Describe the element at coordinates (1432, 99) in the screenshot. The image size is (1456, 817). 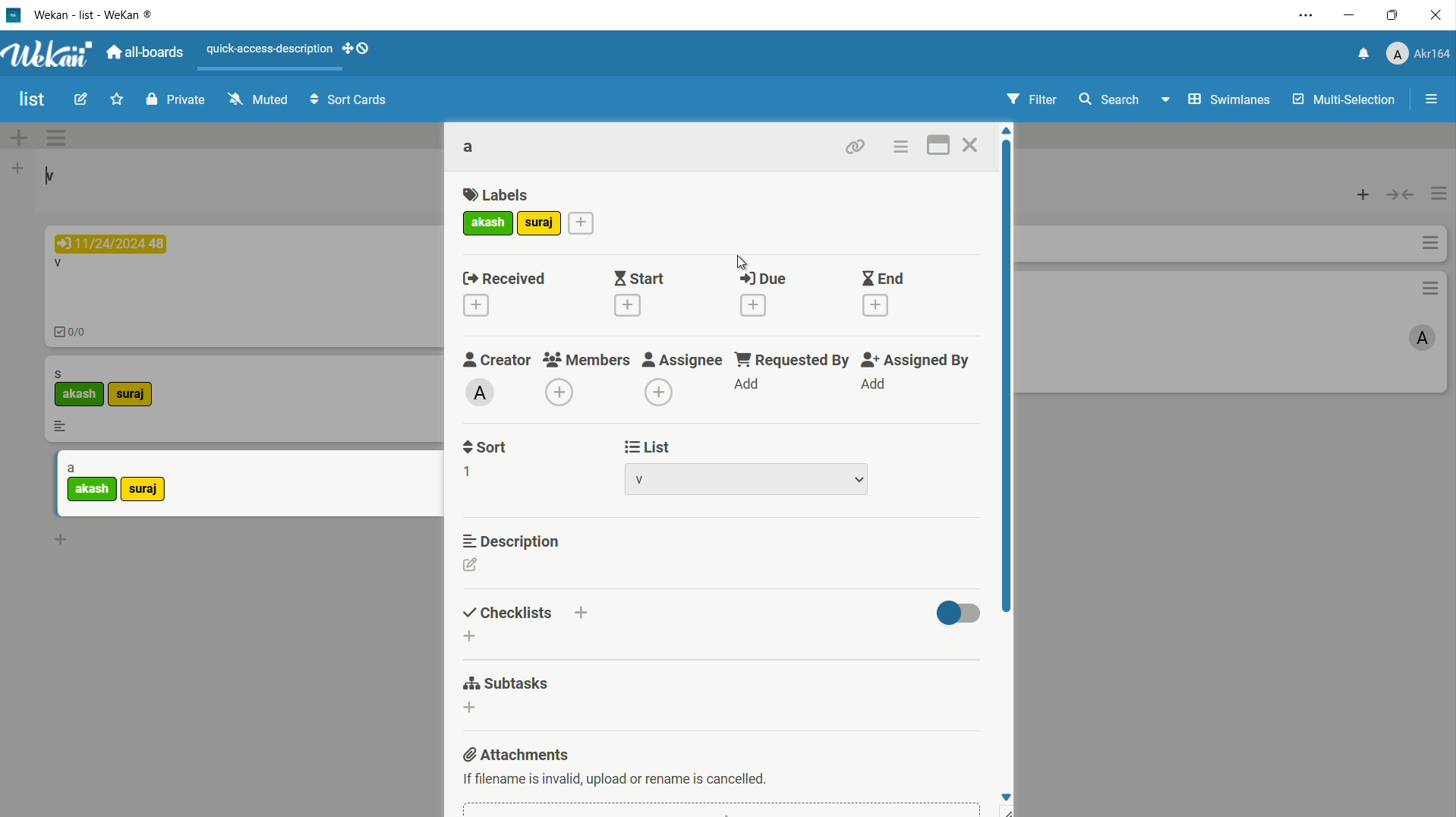
I see `open/close sidebar` at that location.